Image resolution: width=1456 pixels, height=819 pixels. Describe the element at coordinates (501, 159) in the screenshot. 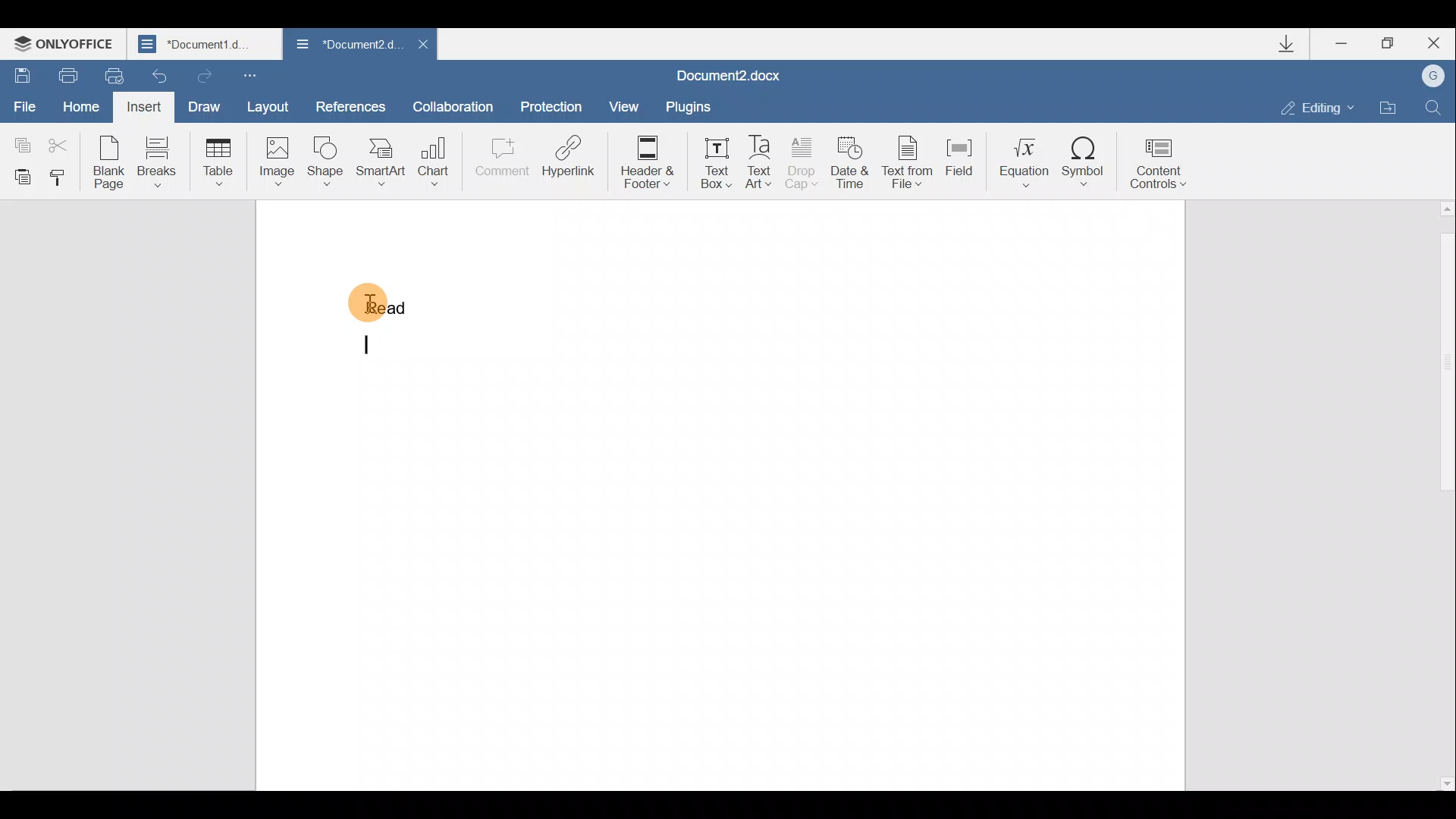

I see `Comment` at that location.